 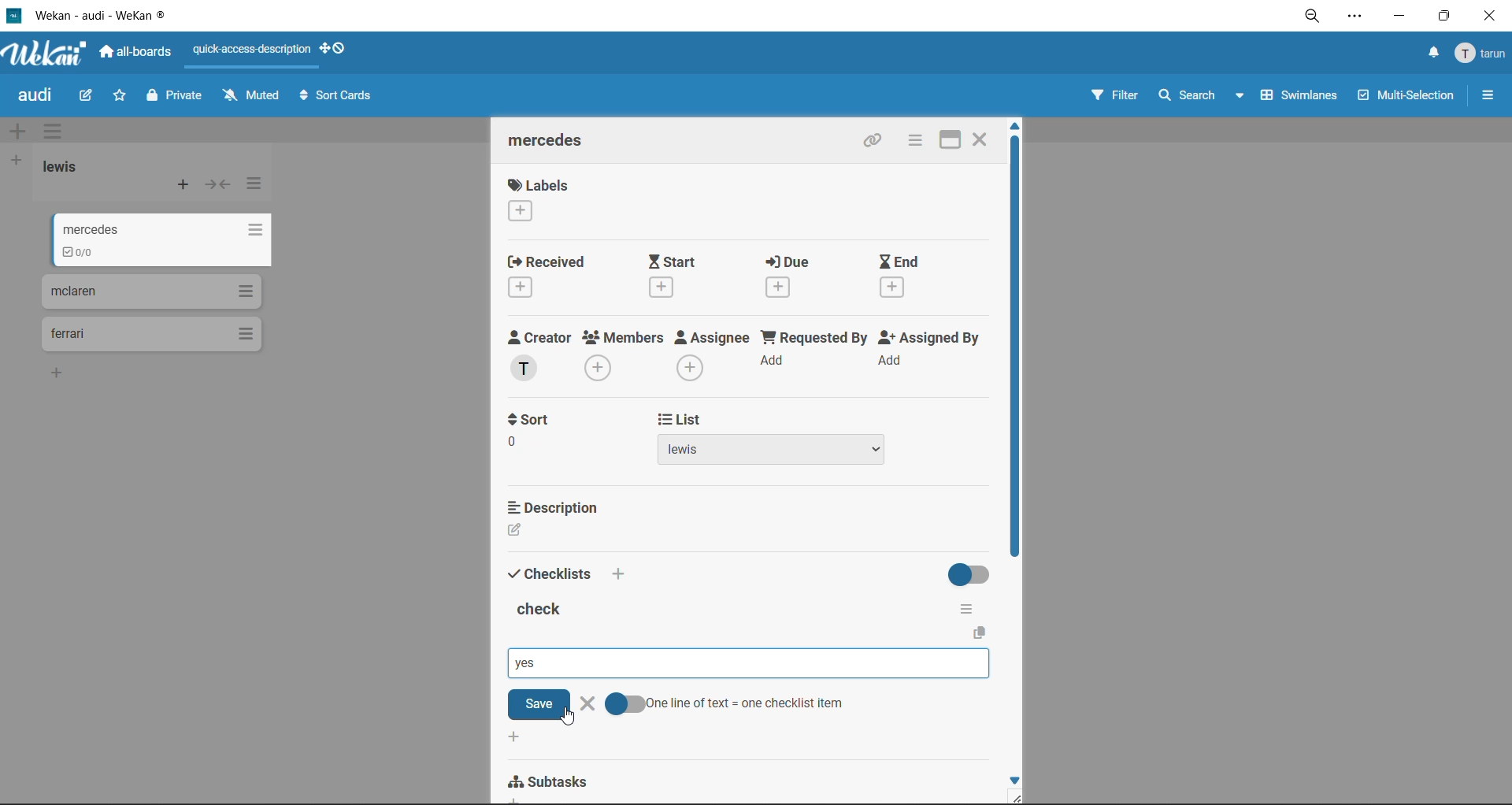 What do you see at coordinates (966, 606) in the screenshot?
I see `checklist options` at bounding box center [966, 606].